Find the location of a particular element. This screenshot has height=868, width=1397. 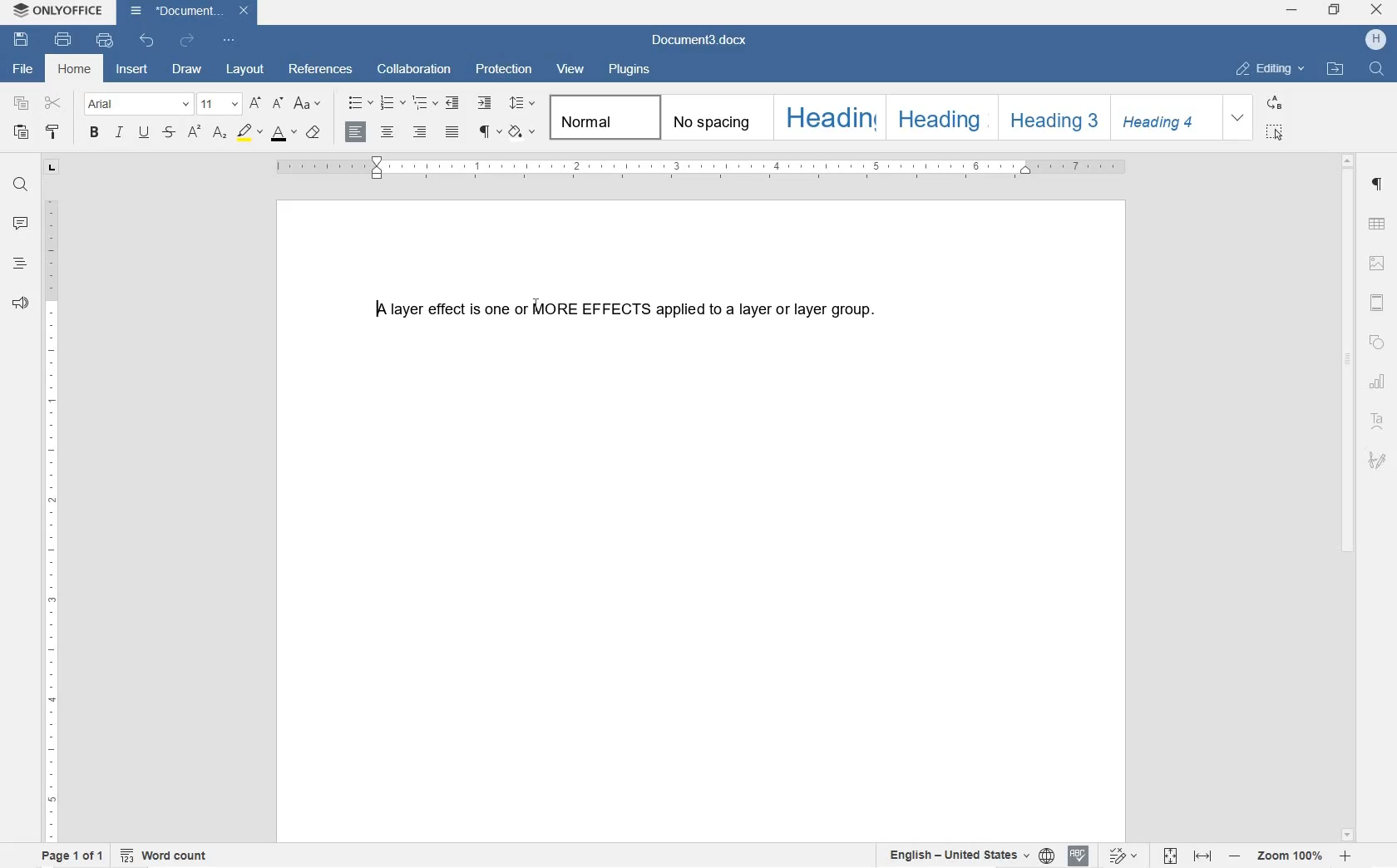

REFERENCES is located at coordinates (323, 71).